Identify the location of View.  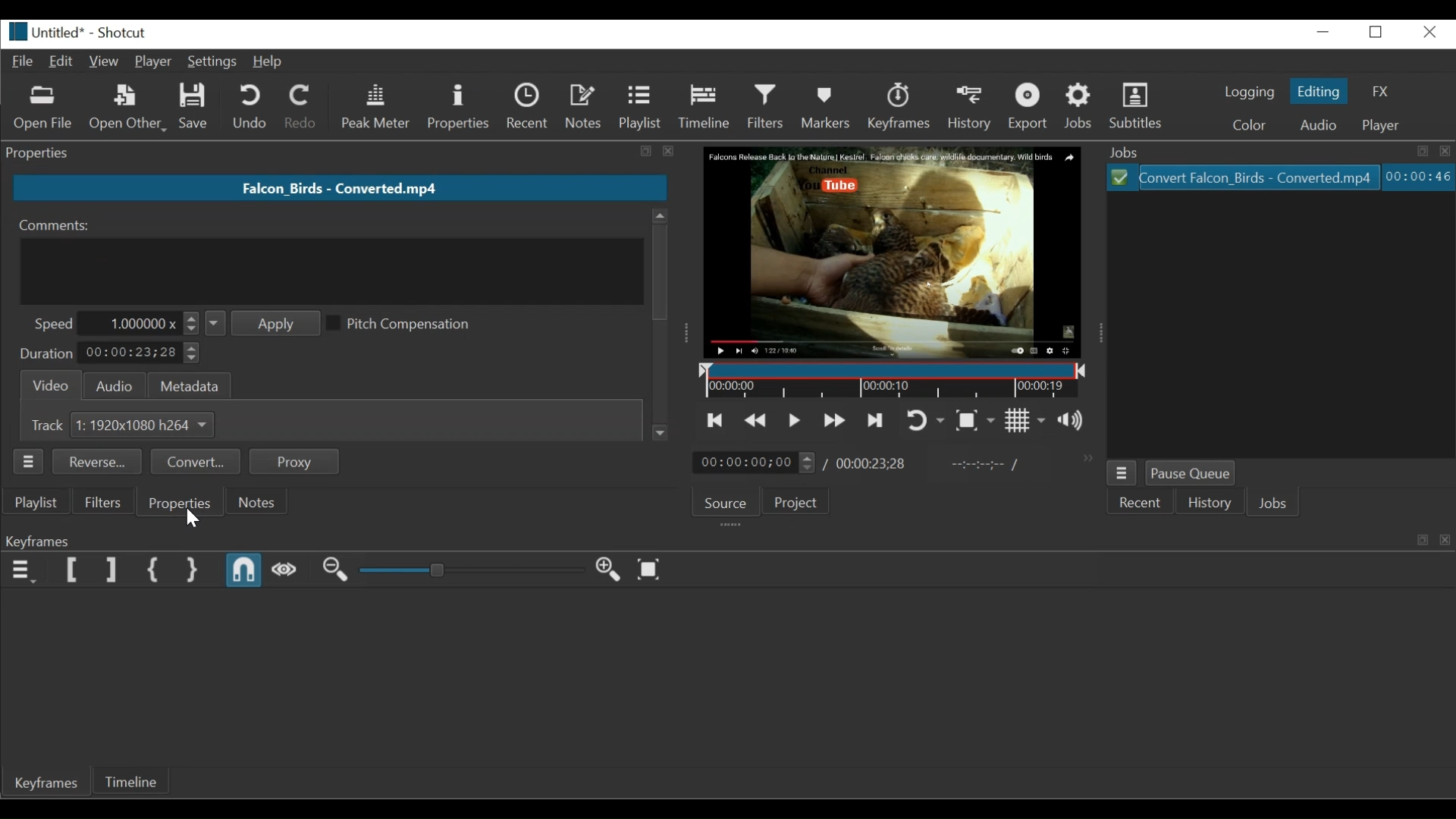
(103, 63).